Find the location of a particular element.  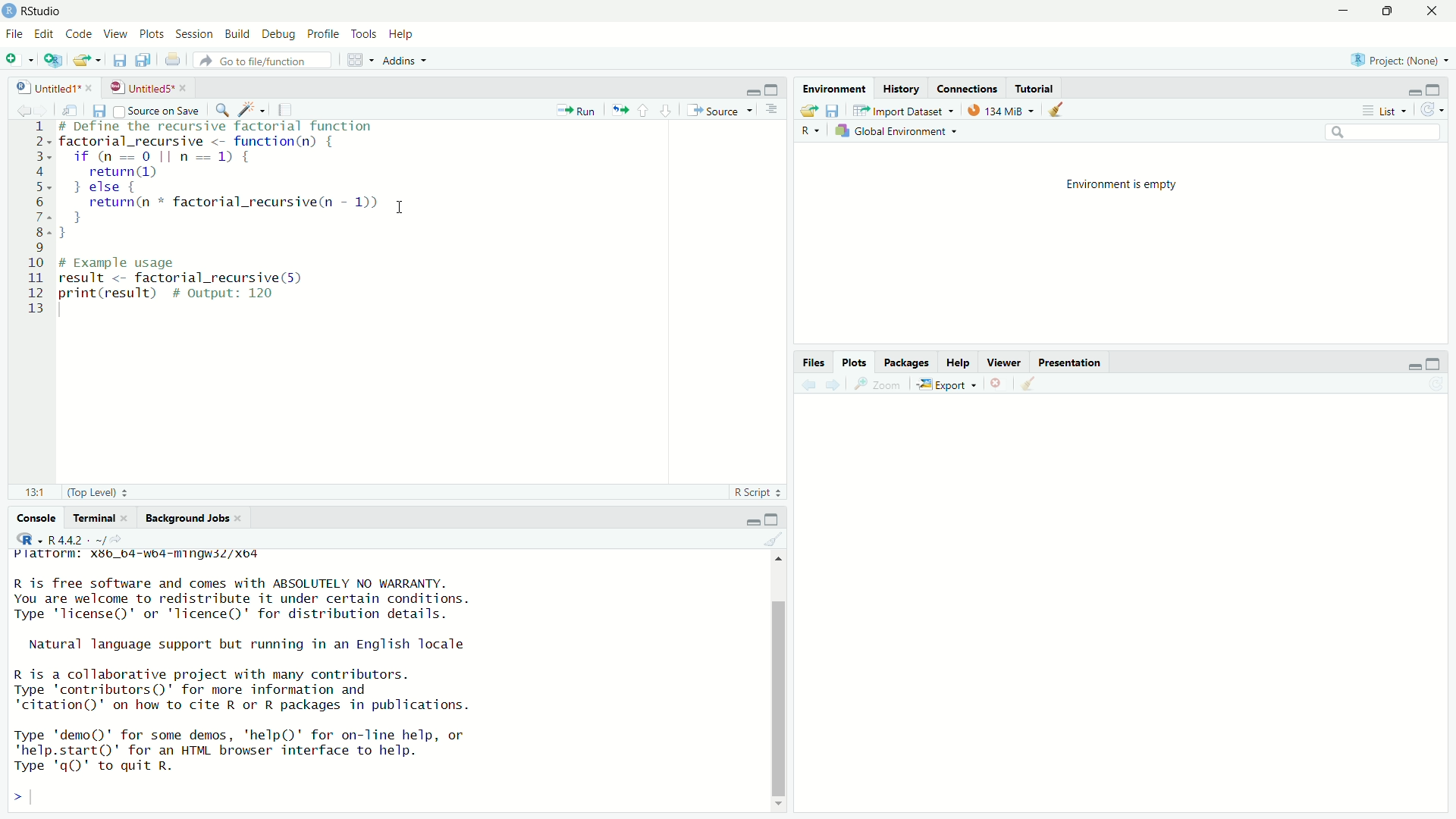

File is located at coordinates (12, 36).